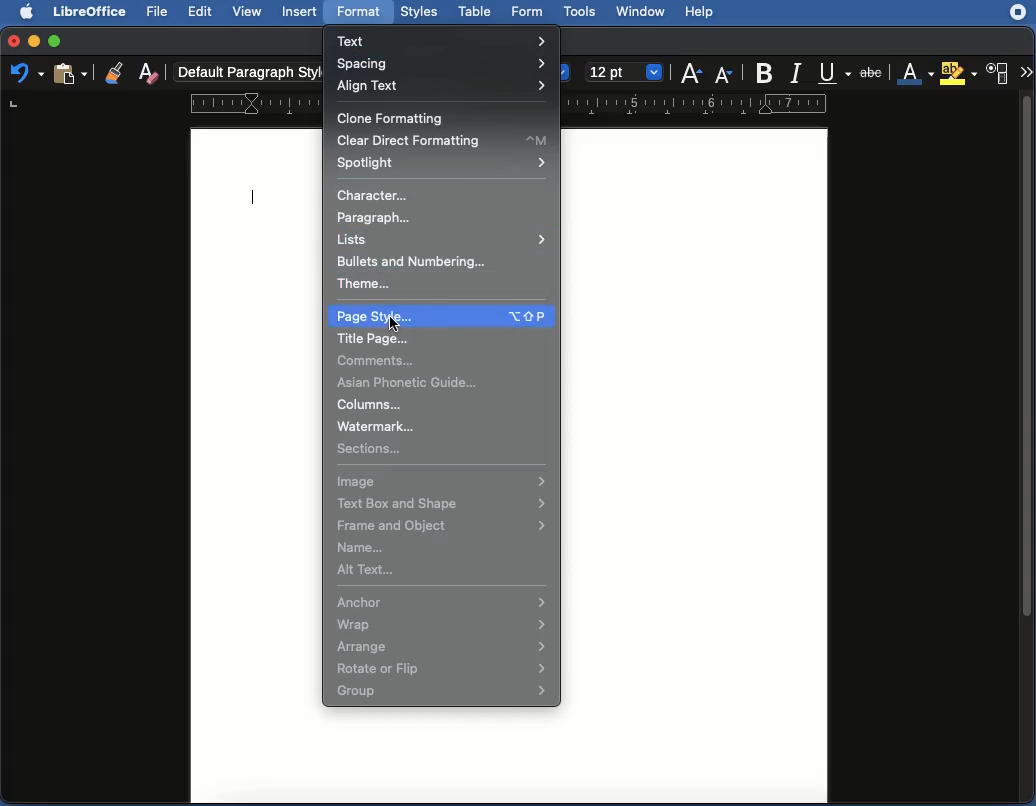 This screenshot has height=806, width=1036. What do you see at coordinates (200, 12) in the screenshot?
I see `Edit` at bounding box center [200, 12].